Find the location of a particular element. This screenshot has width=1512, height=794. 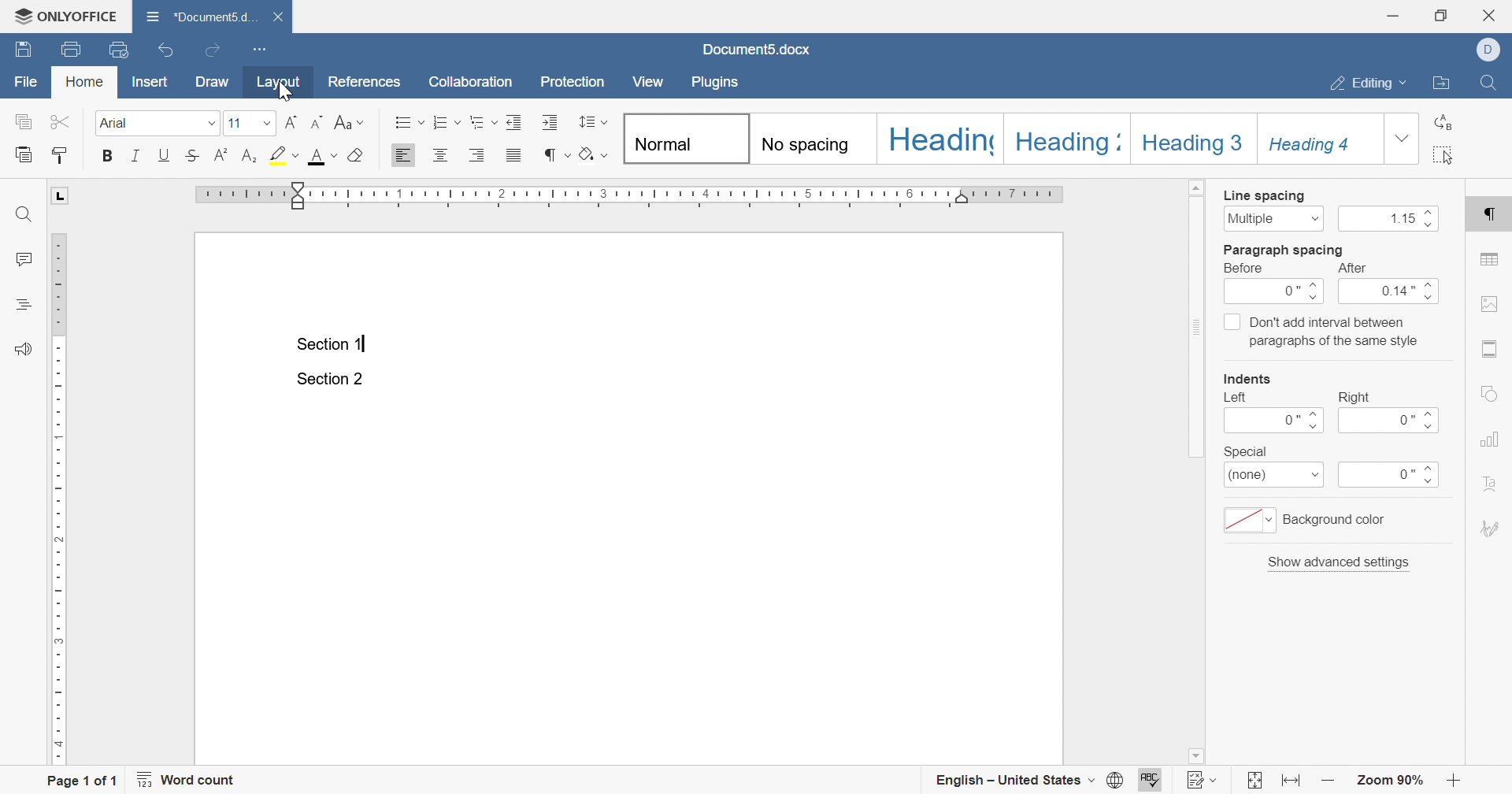

draw is located at coordinates (213, 81).